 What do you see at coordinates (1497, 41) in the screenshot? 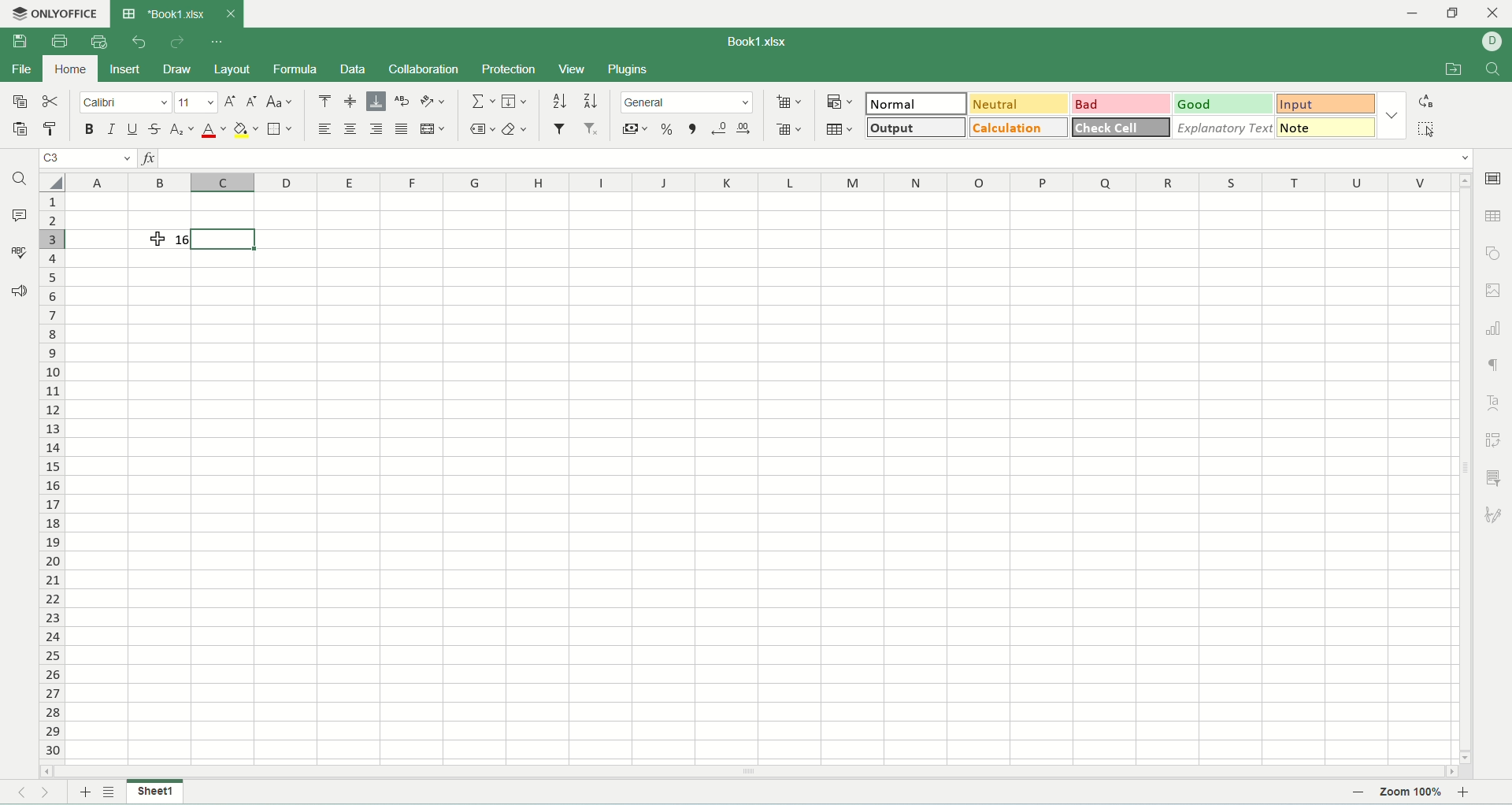
I see `username` at bounding box center [1497, 41].